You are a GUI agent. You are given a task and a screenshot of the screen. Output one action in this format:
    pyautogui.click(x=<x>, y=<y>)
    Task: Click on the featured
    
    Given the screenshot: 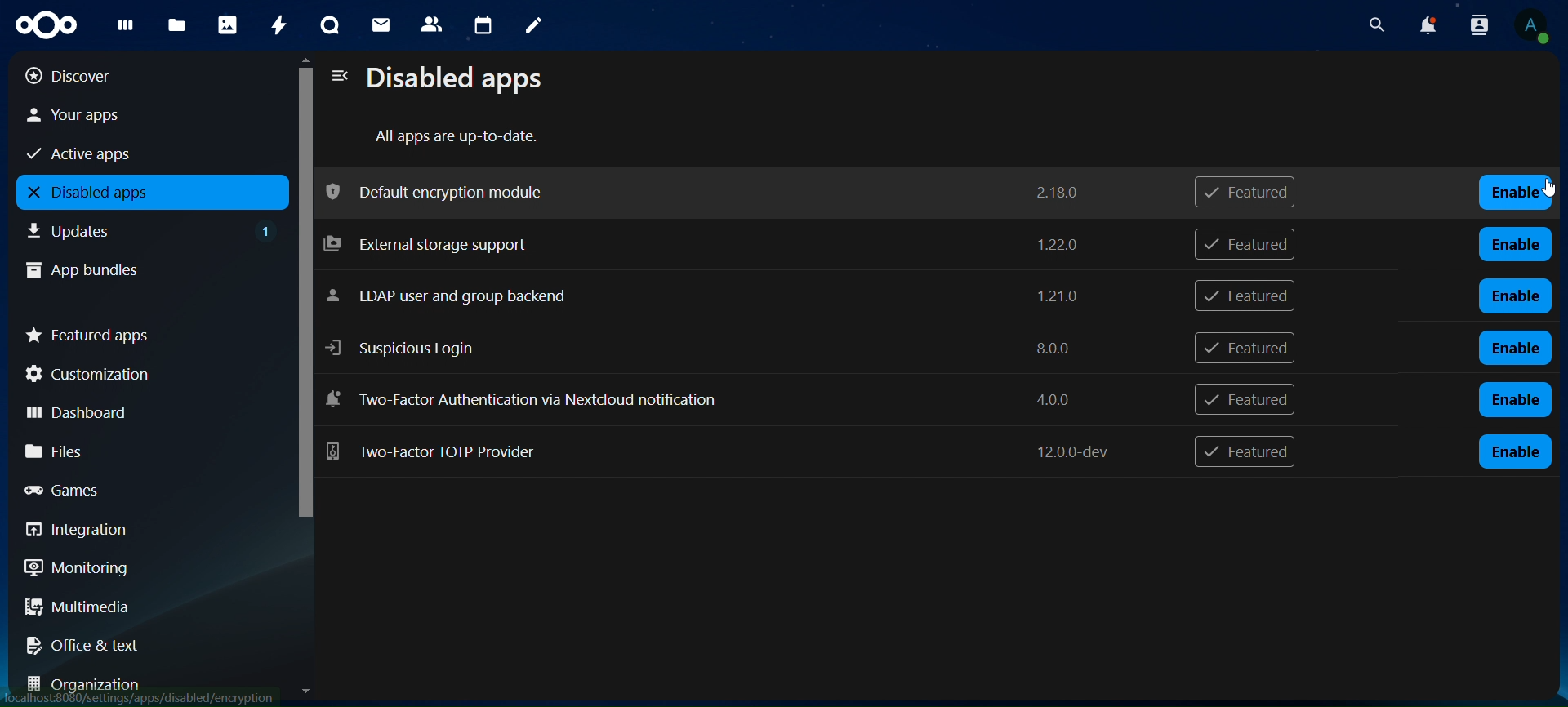 What is the action you would take?
    pyautogui.click(x=1247, y=296)
    